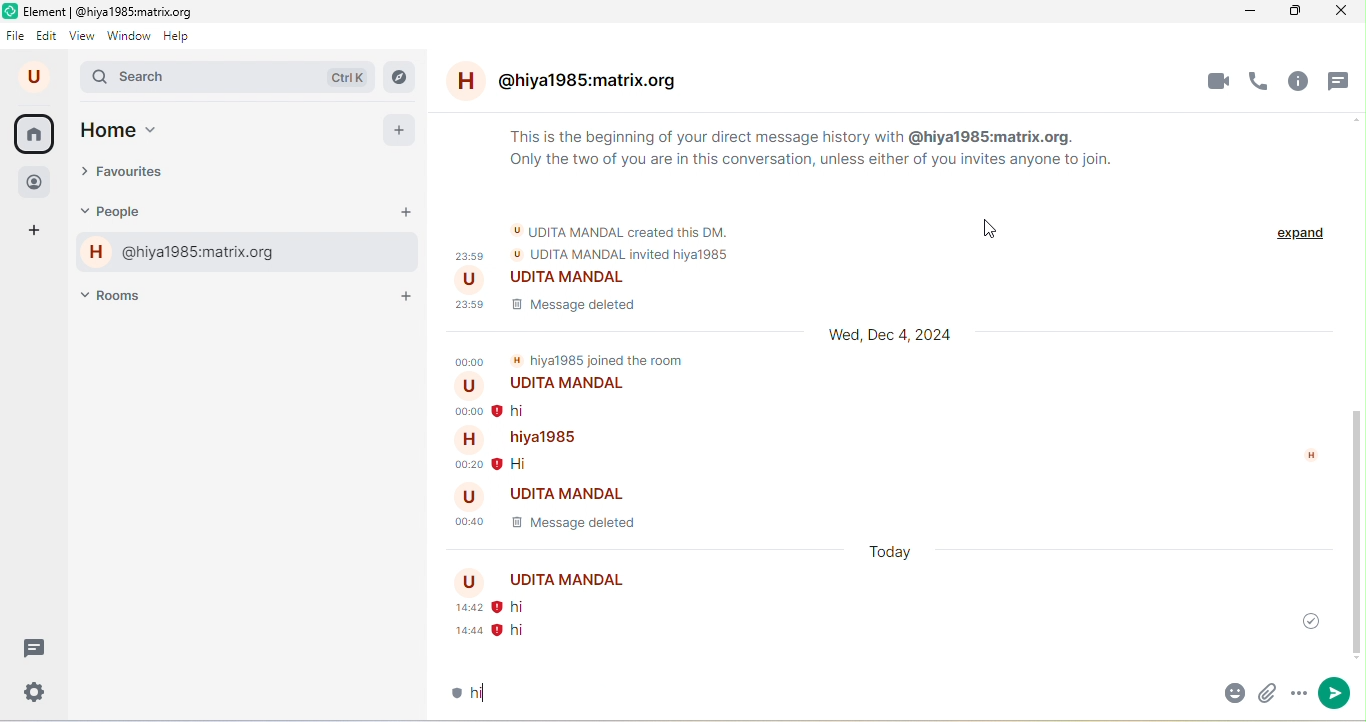  I want to click on udita mandal invited hiya1985, so click(618, 252).